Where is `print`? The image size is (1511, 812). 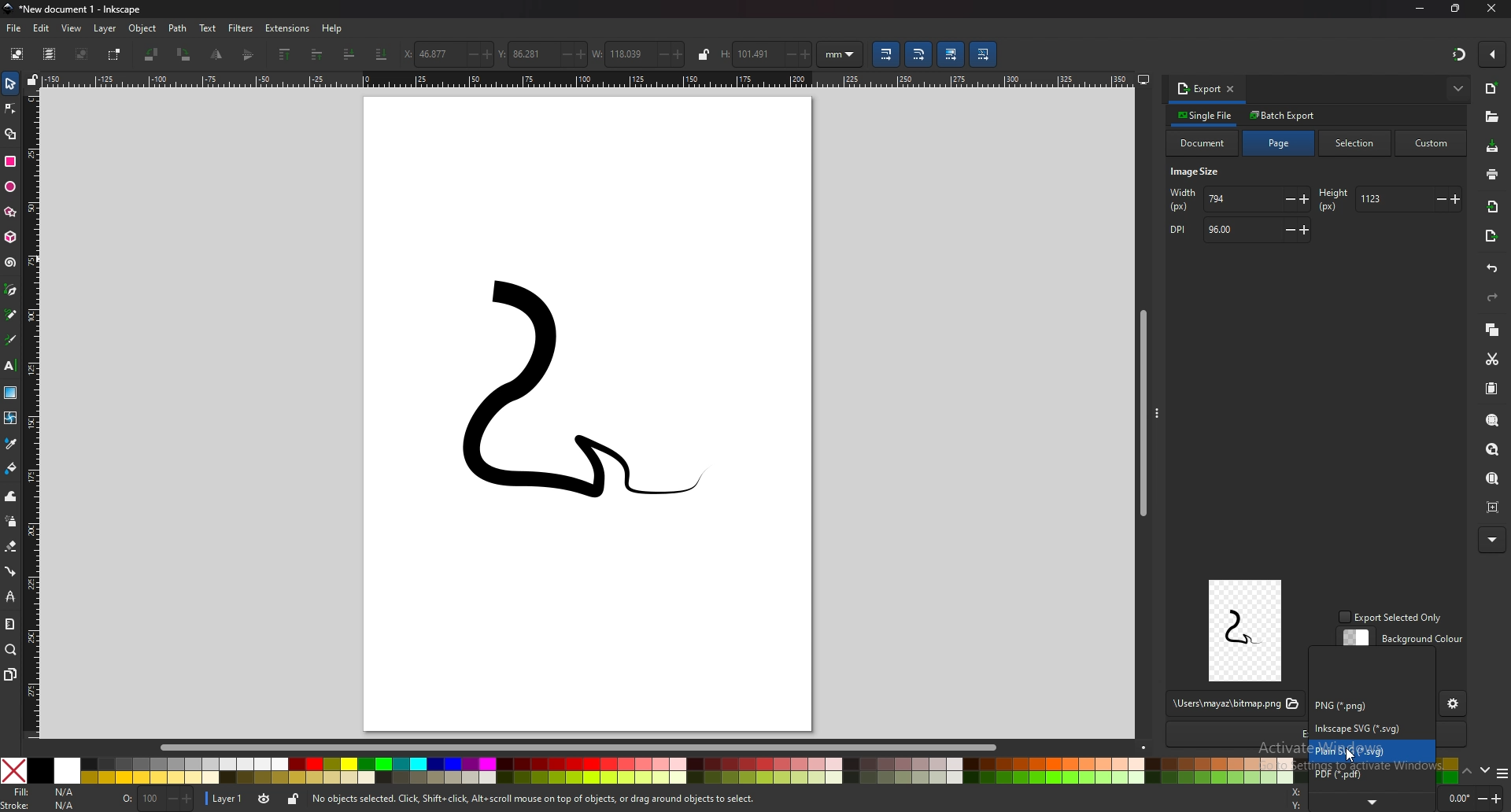
print is located at coordinates (1491, 173).